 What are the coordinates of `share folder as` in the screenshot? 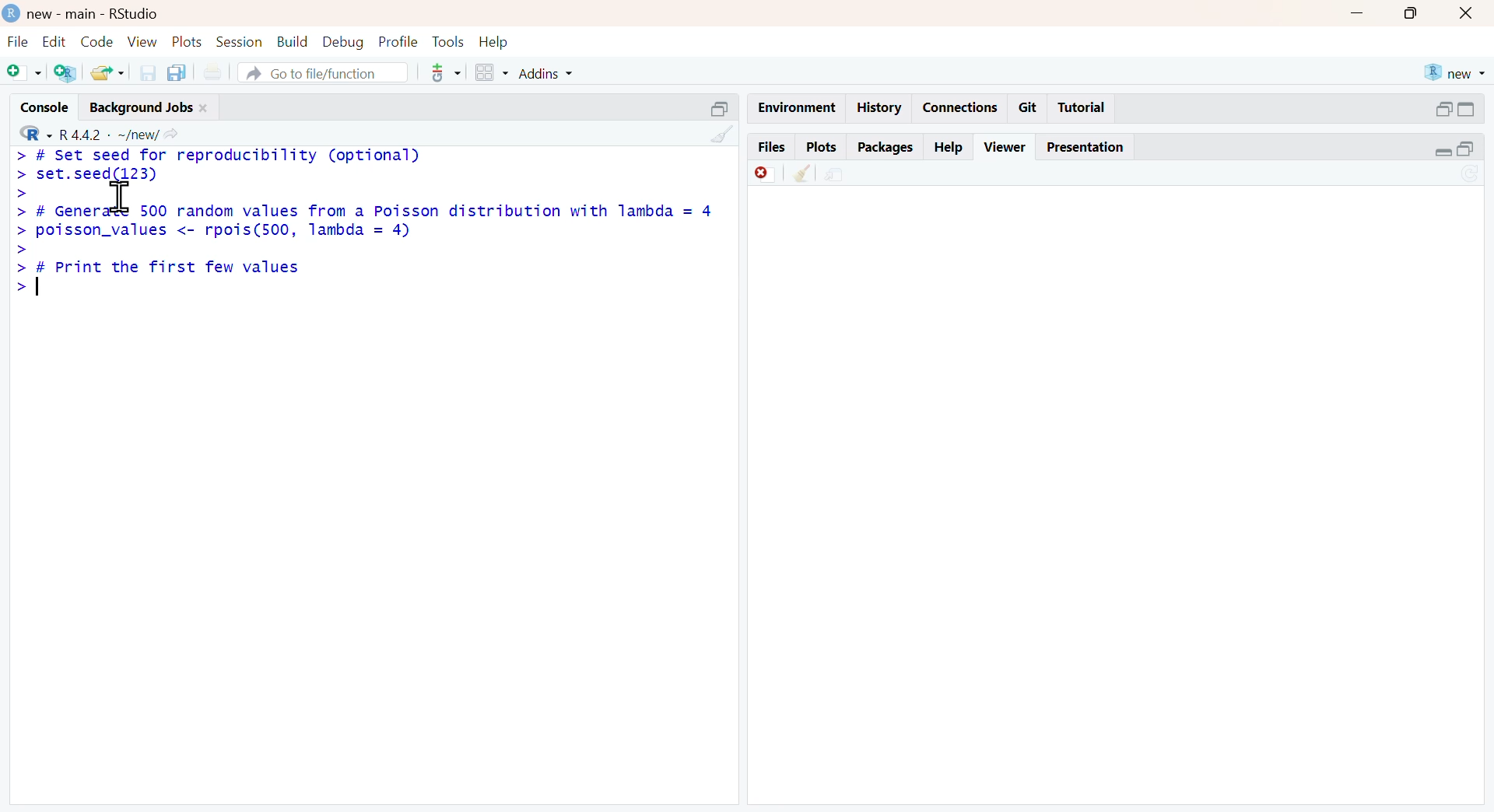 It's located at (109, 72).